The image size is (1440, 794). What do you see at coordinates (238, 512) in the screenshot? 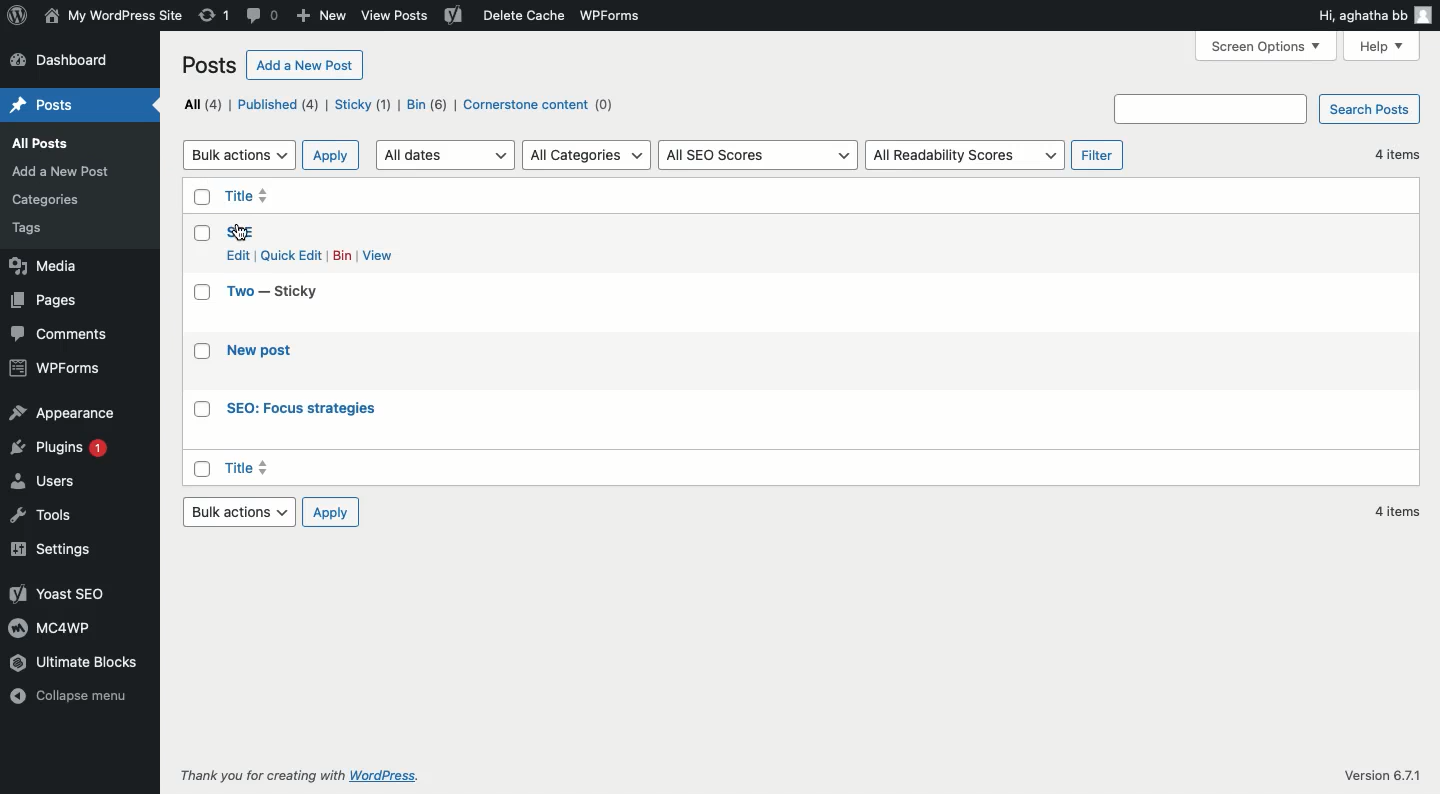
I see `Bulk actions` at bounding box center [238, 512].